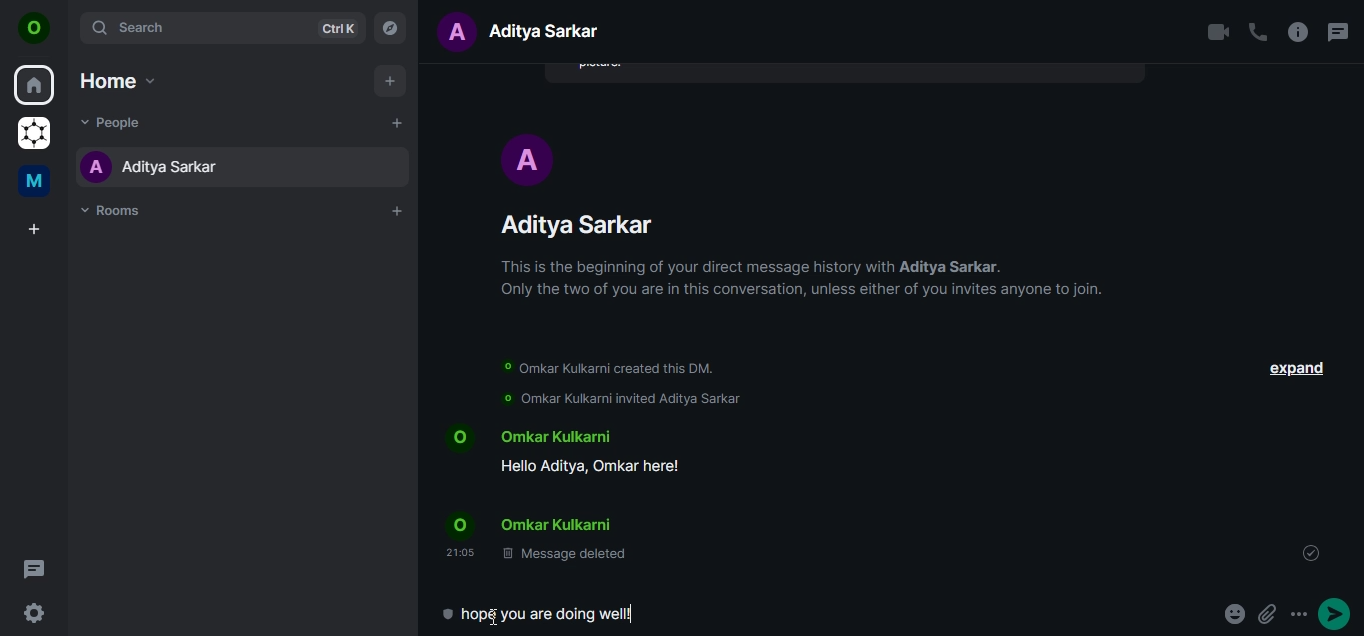 This screenshot has width=1364, height=636. I want to click on start chat, so click(398, 123).